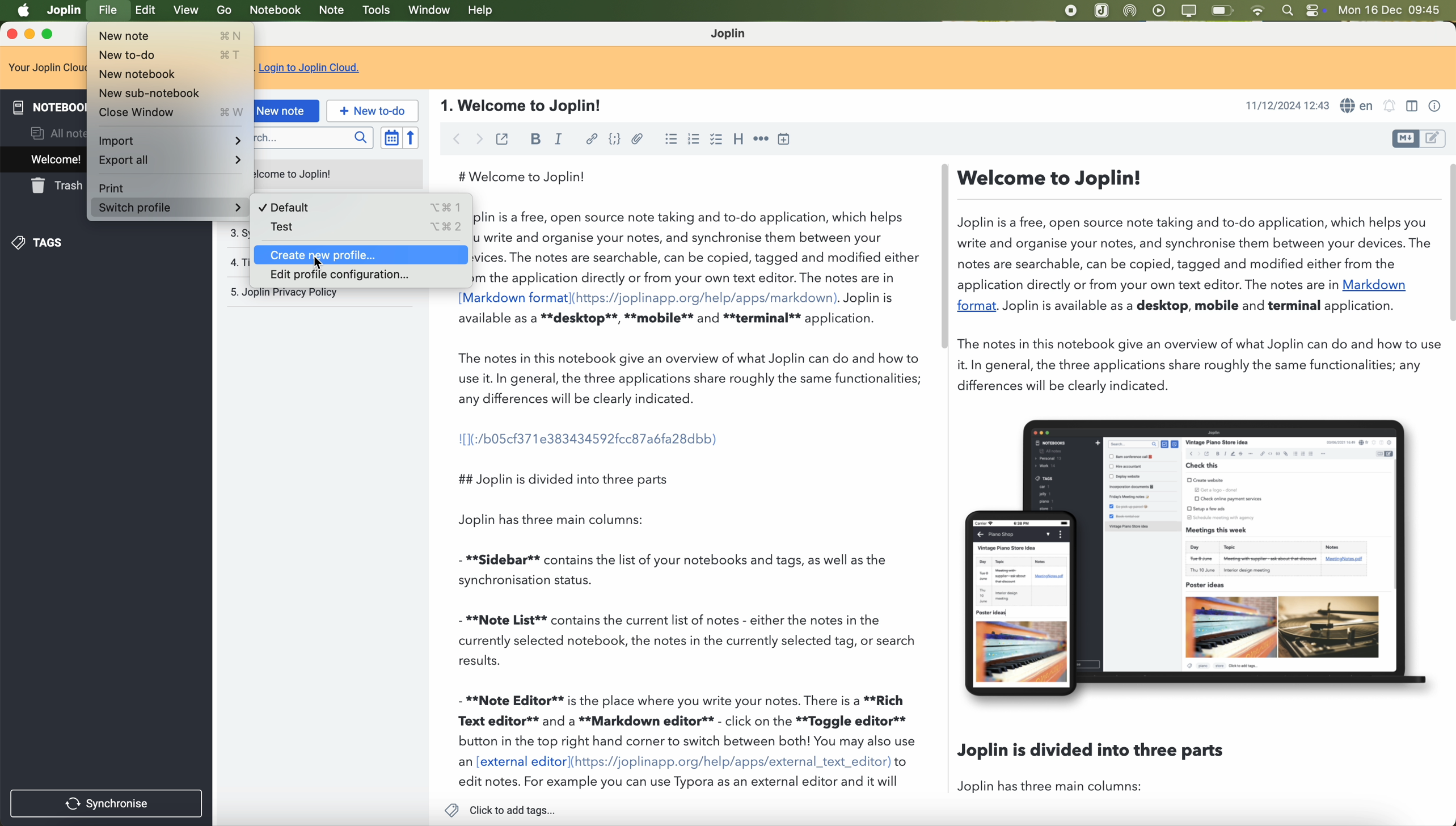  Describe the element at coordinates (109, 12) in the screenshot. I see `Cursor` at that location.